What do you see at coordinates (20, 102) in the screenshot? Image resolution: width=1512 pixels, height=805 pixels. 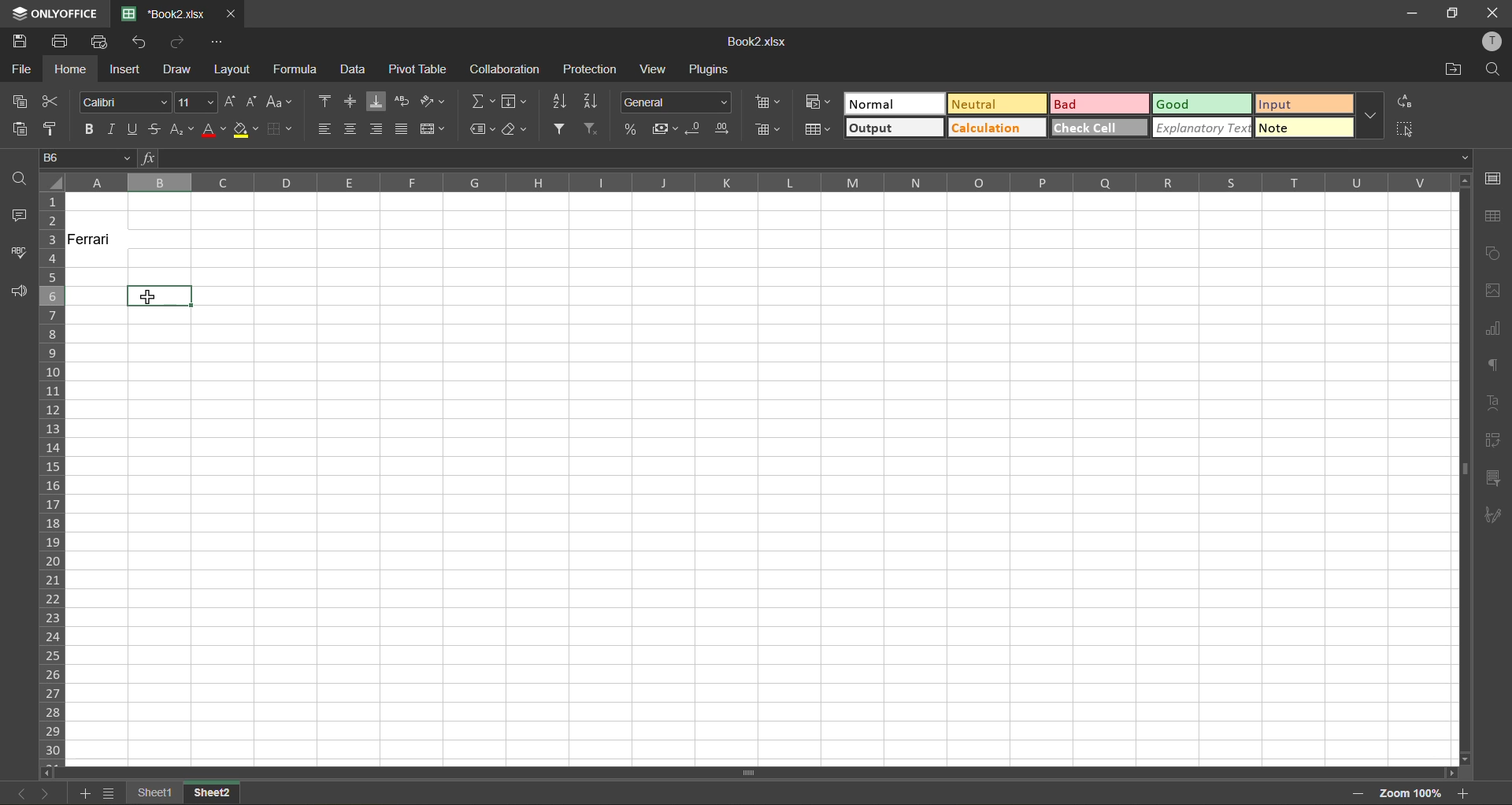 I see `copy` at bounding box center [20, 102].